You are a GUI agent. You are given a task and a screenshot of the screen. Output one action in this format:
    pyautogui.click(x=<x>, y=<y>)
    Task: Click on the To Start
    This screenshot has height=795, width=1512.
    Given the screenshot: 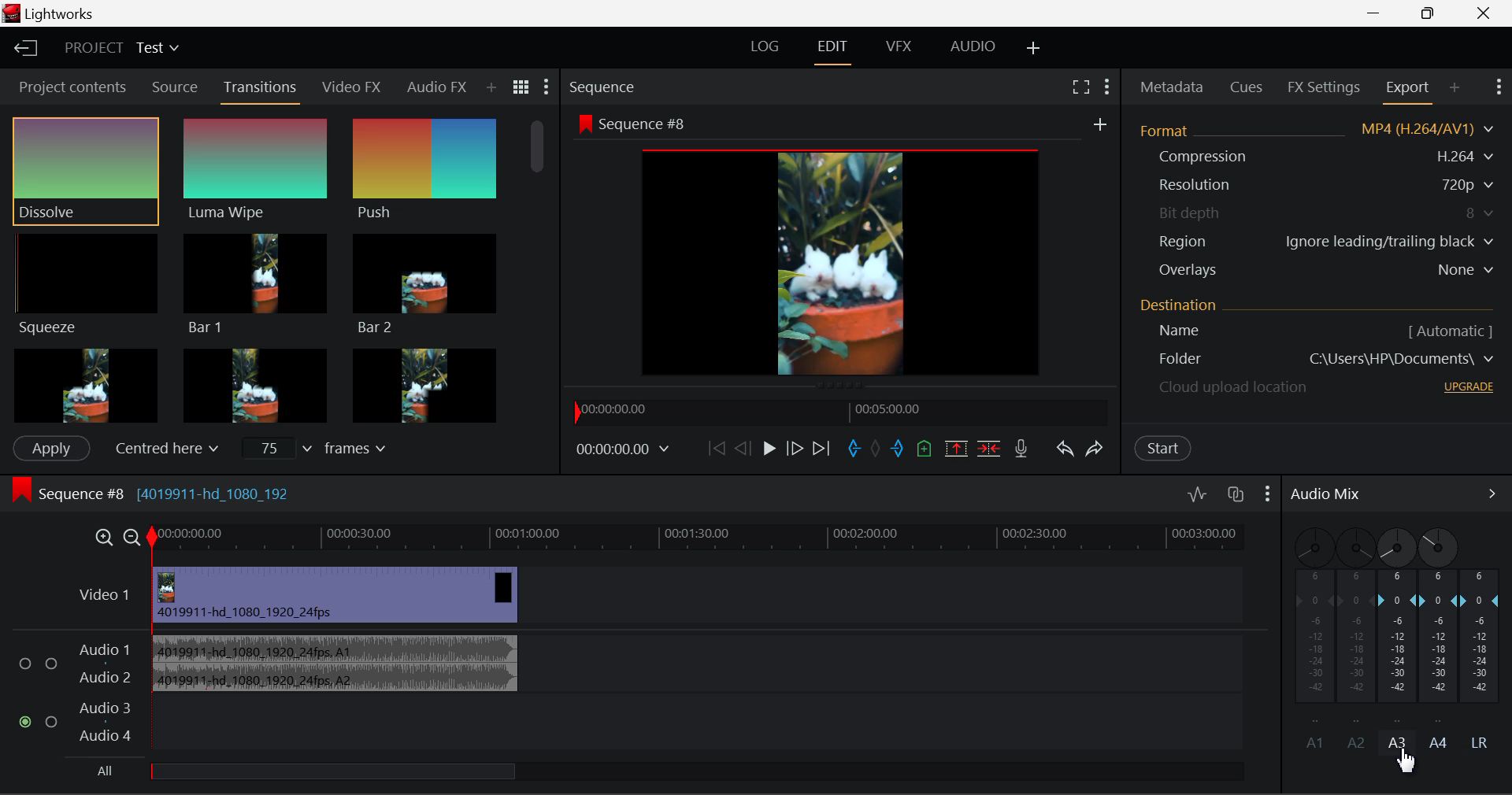 What is the action you would take?
    pyautogui.click(x=714, y=448)
    